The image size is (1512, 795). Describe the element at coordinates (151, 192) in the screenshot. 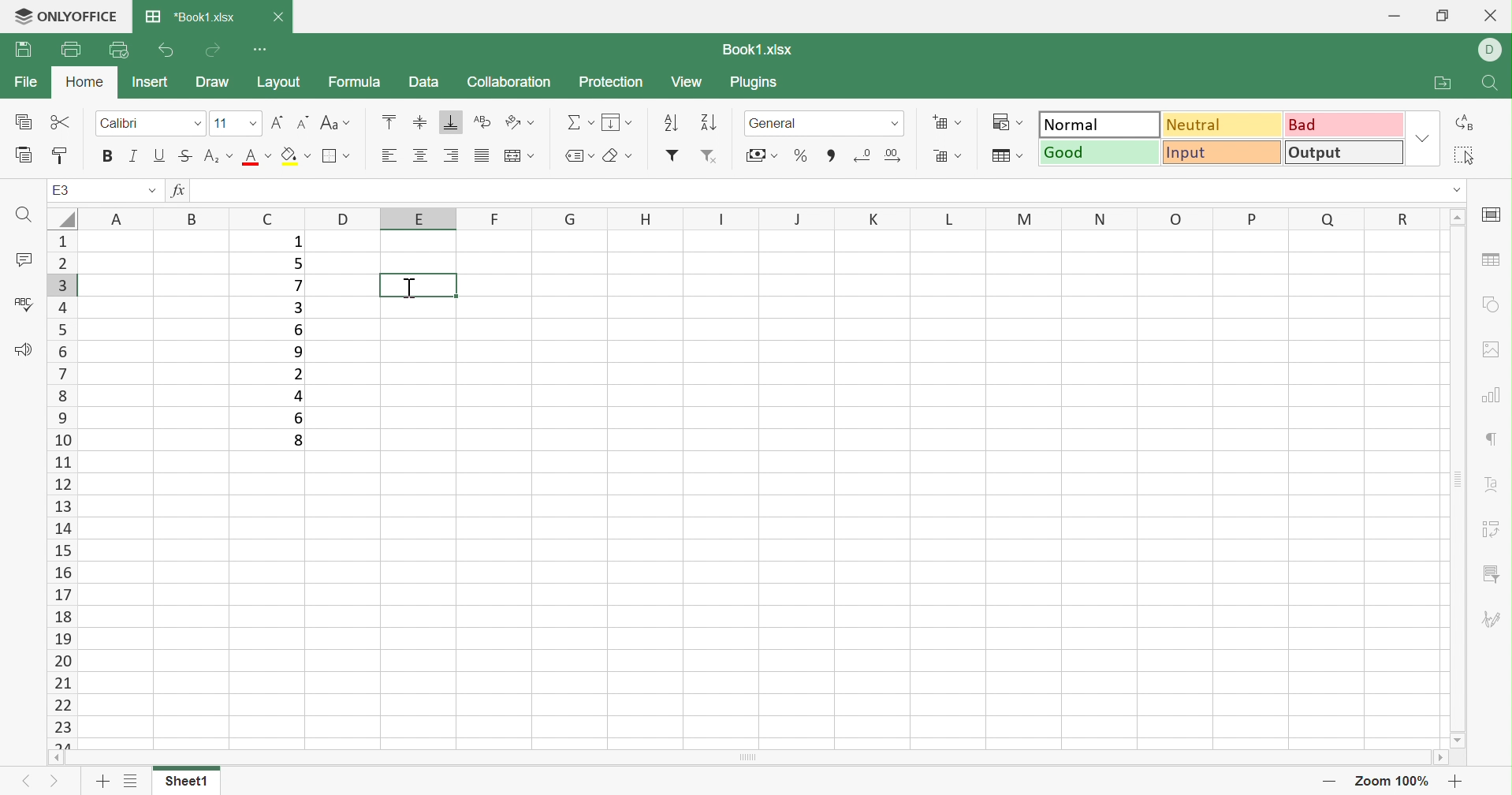

I see `Drop Down` at that location.